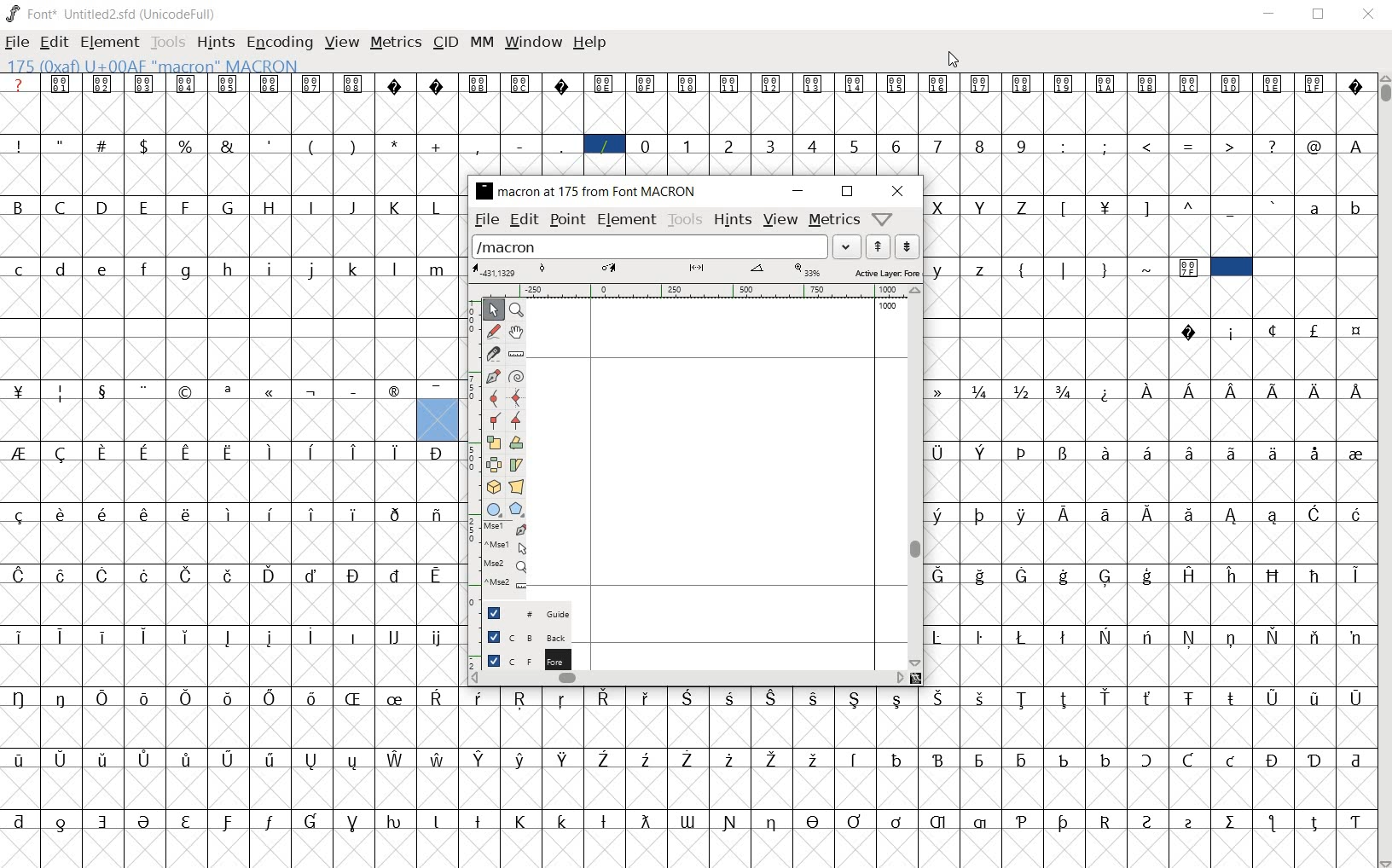 The image size is (1392, 868). Describe the element at coordinates (857, 145) in the screenshot. I see `5` at that location.